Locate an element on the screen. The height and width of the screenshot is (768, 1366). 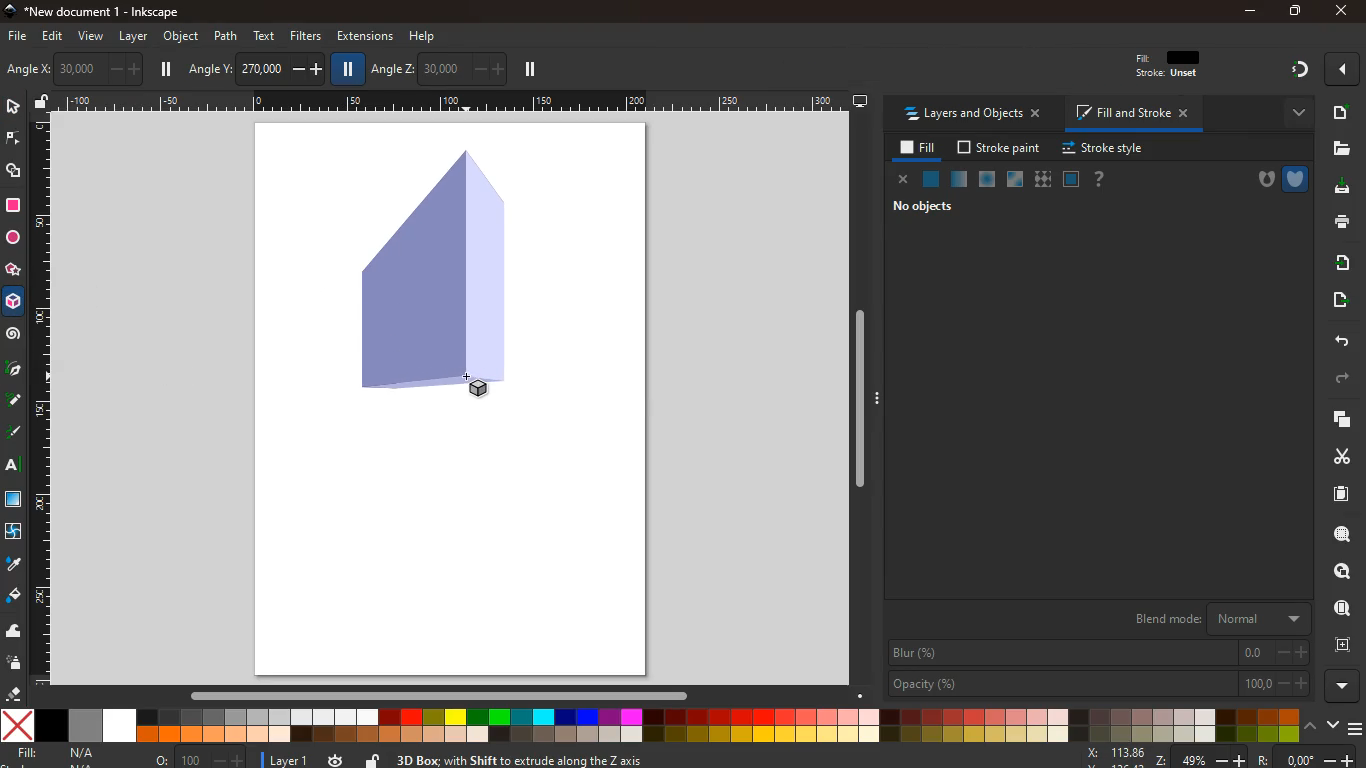
down is located at coordinates (1332, 726).